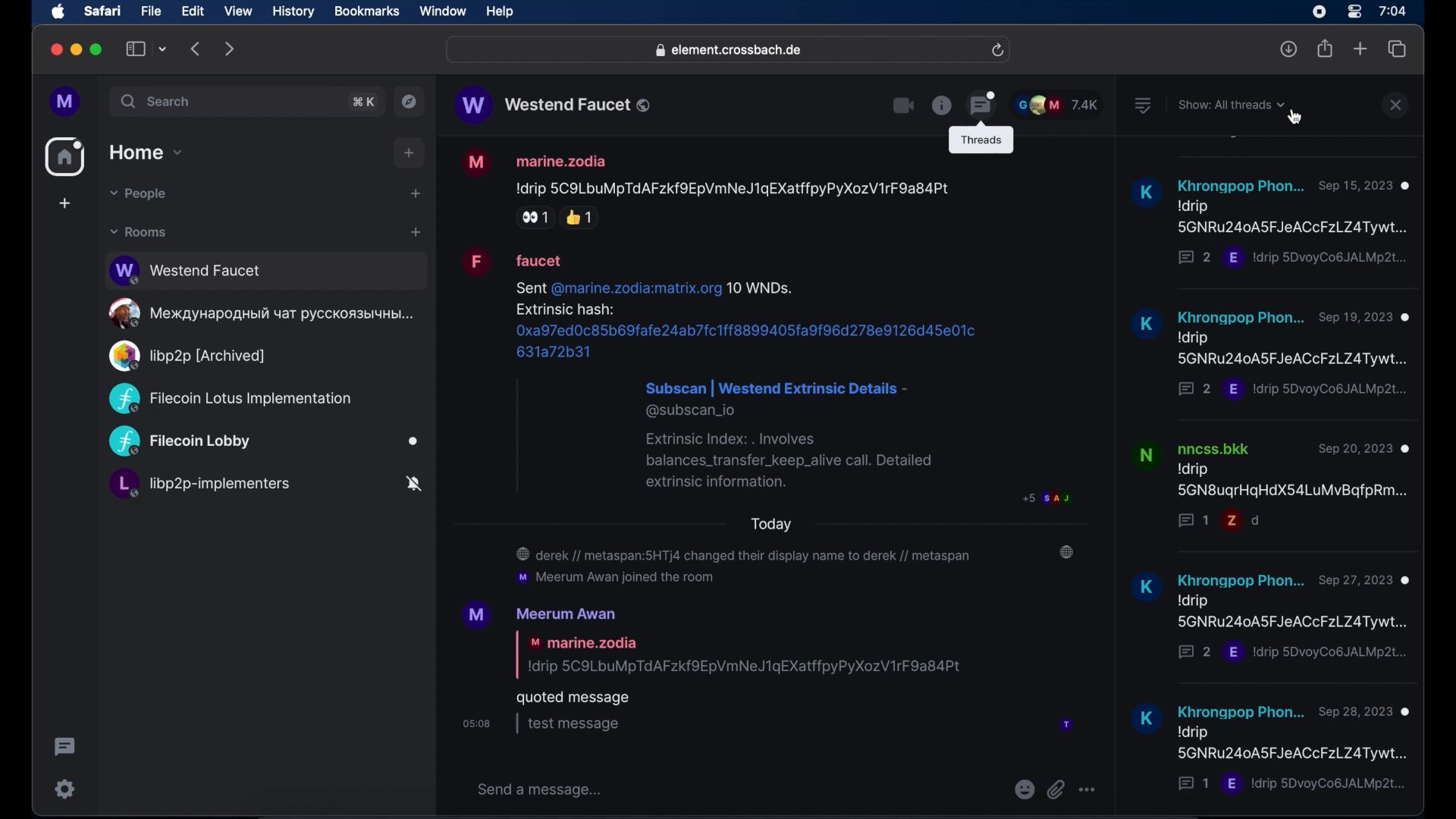 The width and height of the screenshot is (1456, 819). What do you see at coordinates (151, 12) in the screenshot?
I see `file` at bounding box center [151, 12].